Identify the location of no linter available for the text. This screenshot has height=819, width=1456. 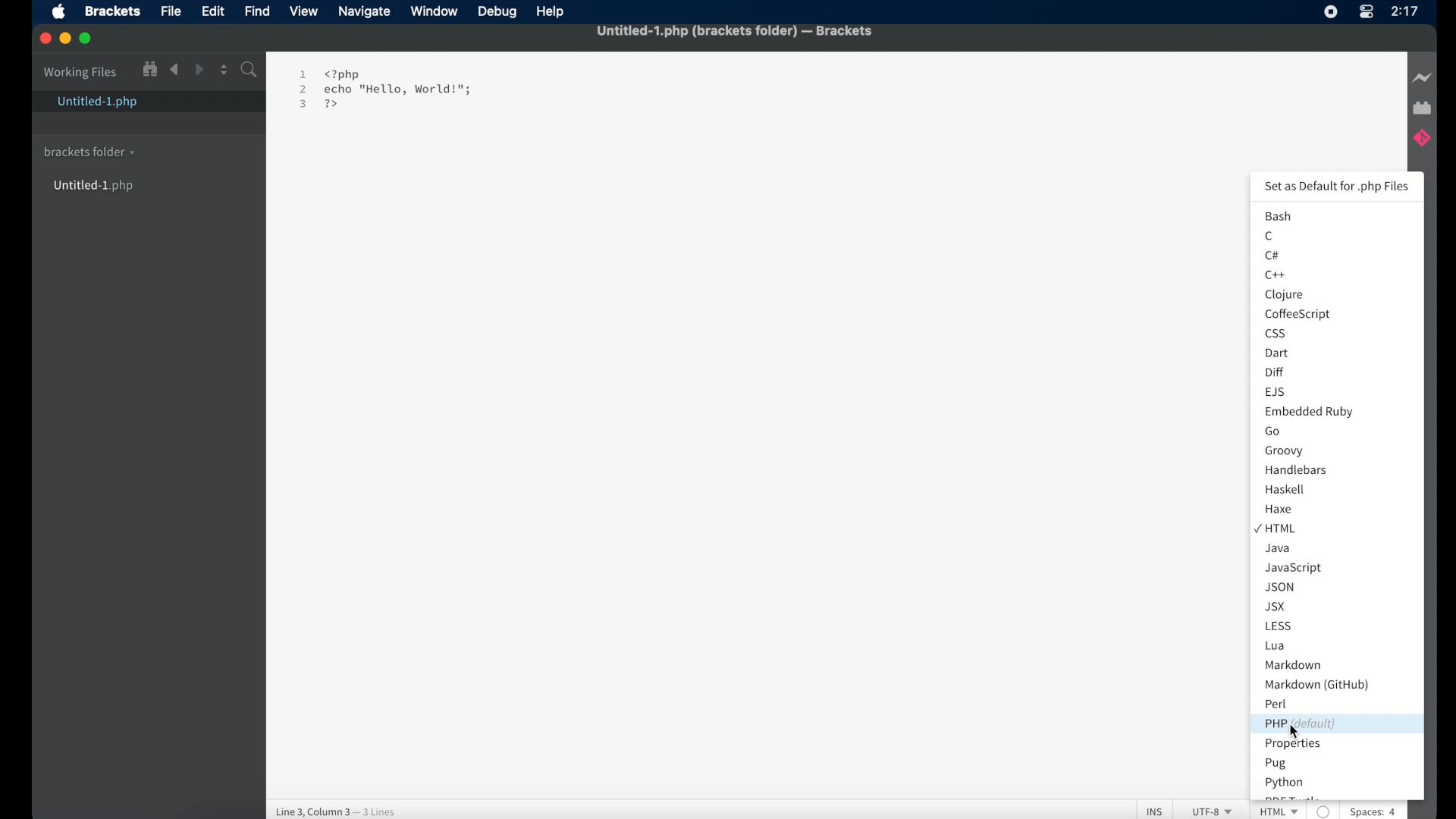
(1325, 813).